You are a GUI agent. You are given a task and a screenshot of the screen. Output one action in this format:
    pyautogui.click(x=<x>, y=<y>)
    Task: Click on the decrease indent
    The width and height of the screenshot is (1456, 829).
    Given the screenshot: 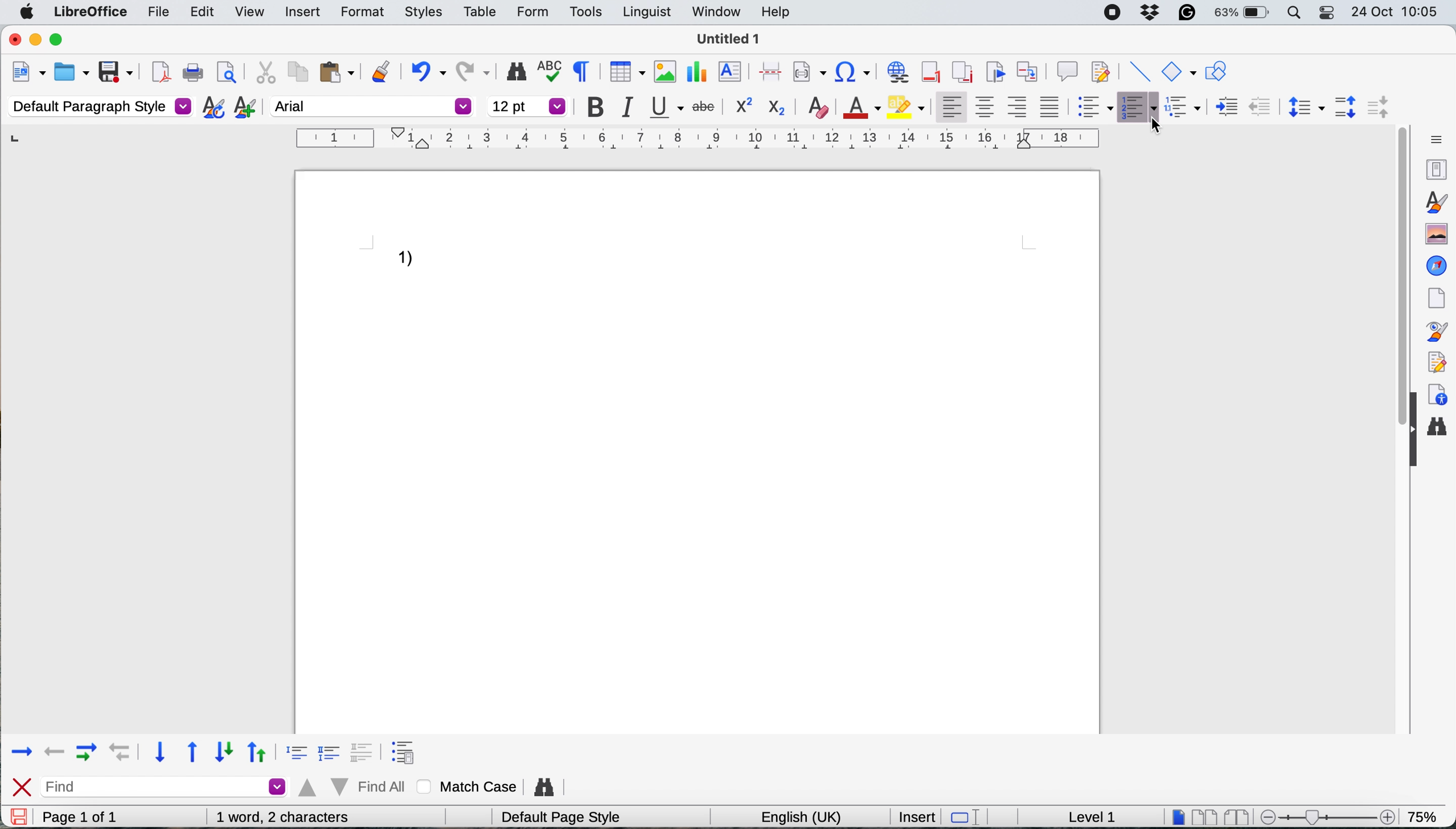 What is the action you would take?
    pyautogui.click(x=1226, y=105)
    